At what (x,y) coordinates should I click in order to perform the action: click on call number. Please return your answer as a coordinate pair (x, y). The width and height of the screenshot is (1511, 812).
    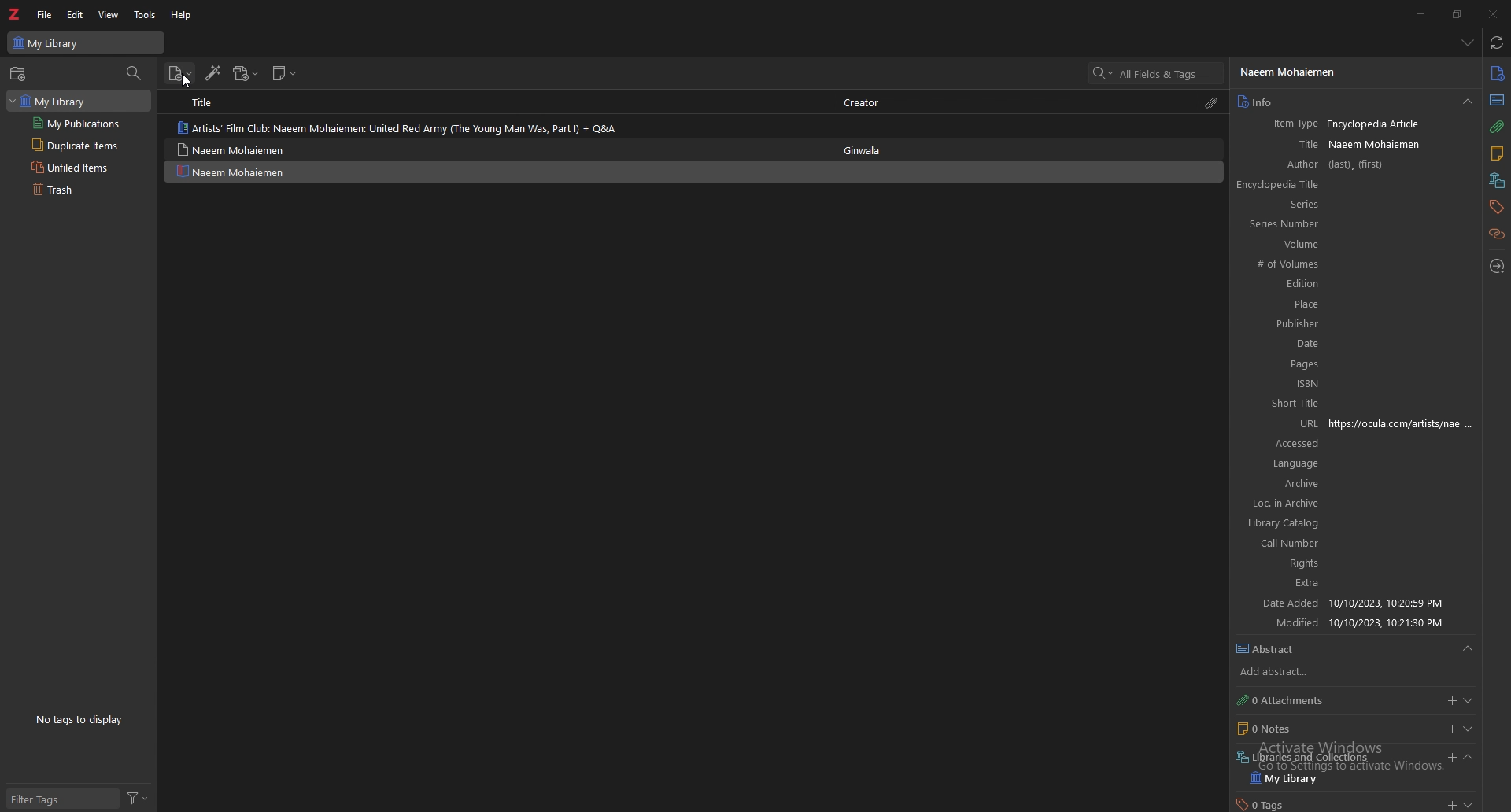
    Looking at the image, I should click on (1281, 544).